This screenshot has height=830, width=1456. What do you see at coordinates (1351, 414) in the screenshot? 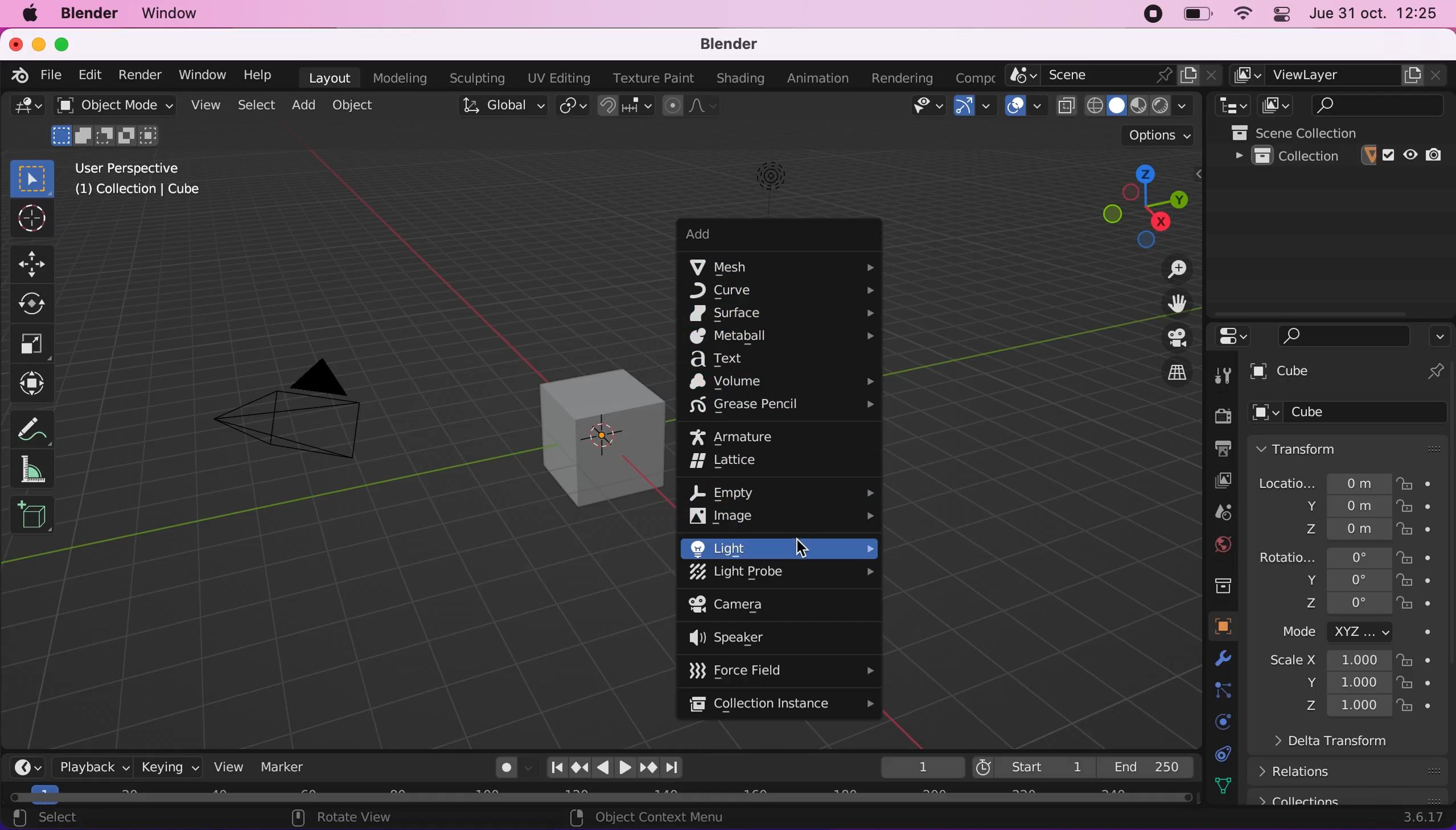
I see `cube` at bounding box center [1351, 414].